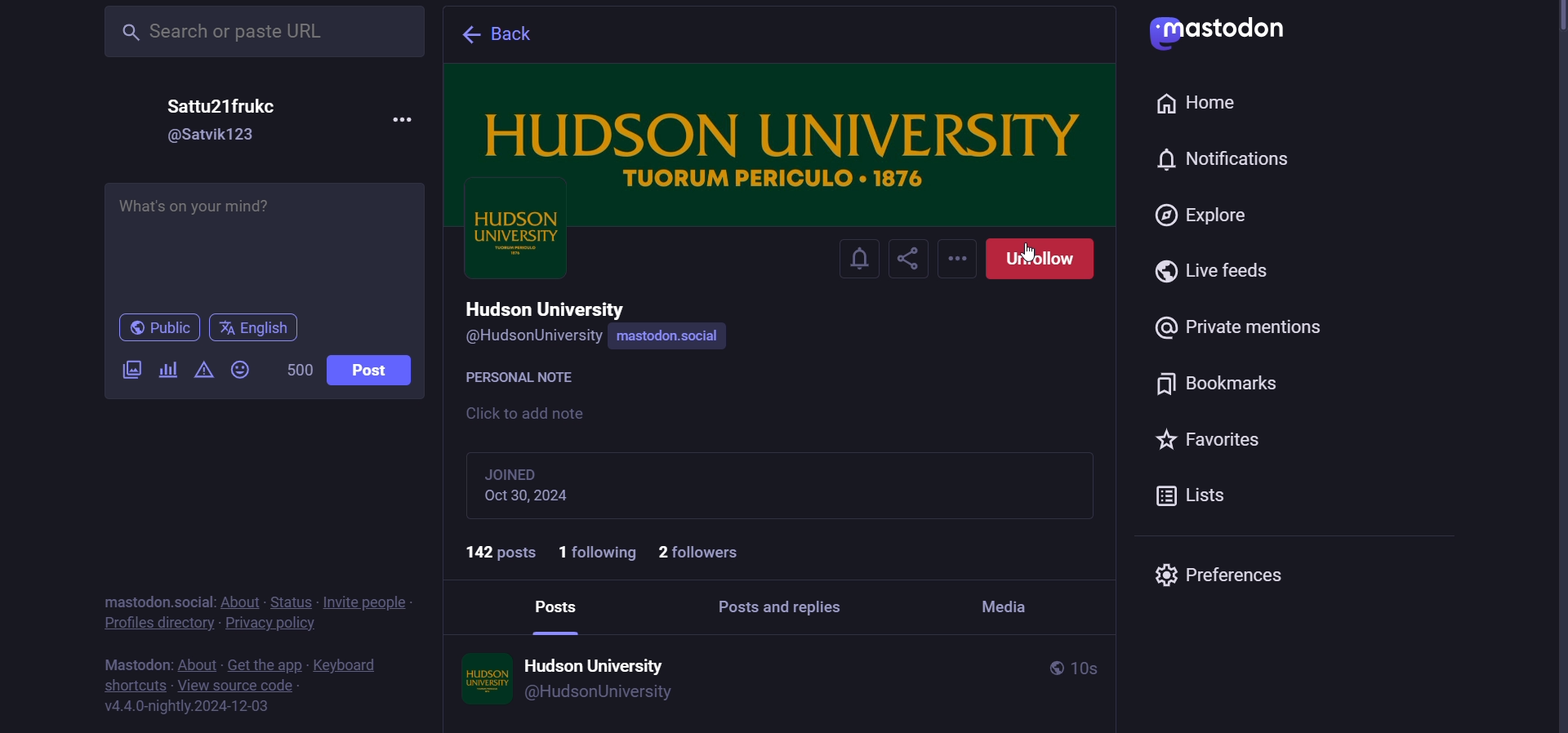 The image size is (1568, 733). I want to click on emoji, so click(239, 371).